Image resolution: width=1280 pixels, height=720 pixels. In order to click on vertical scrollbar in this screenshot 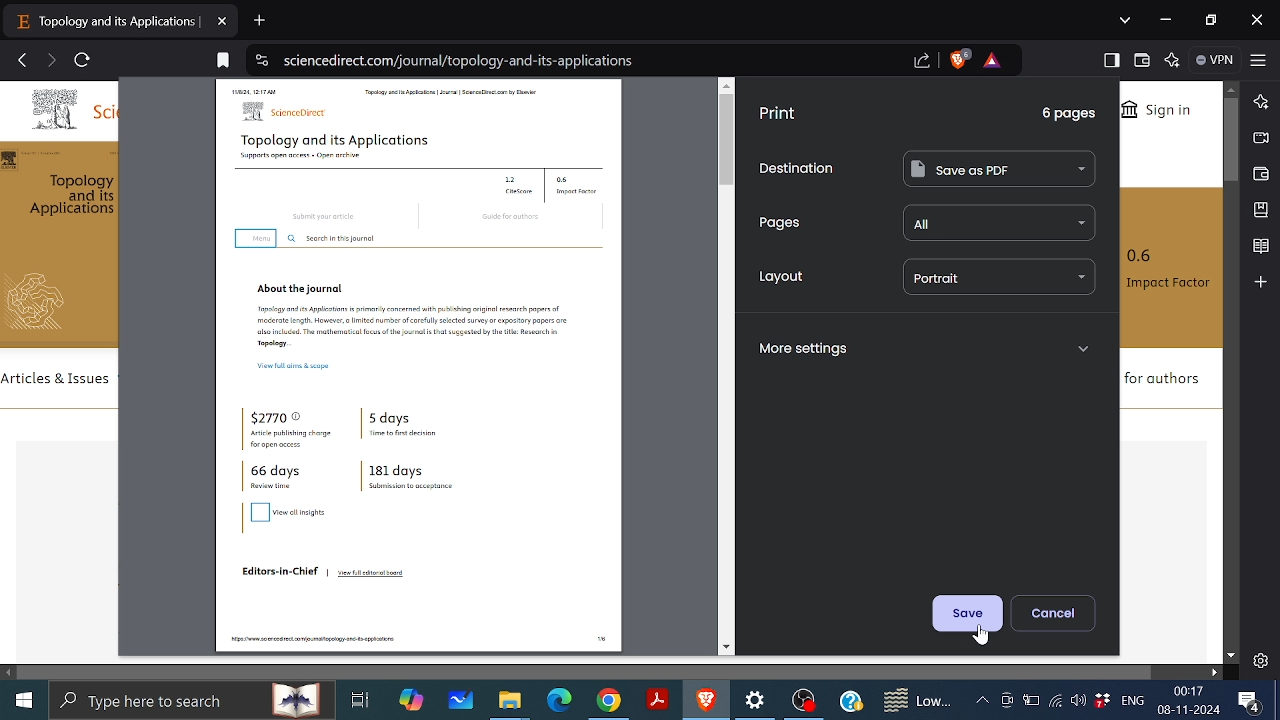, I will do `click(726, 138)`.